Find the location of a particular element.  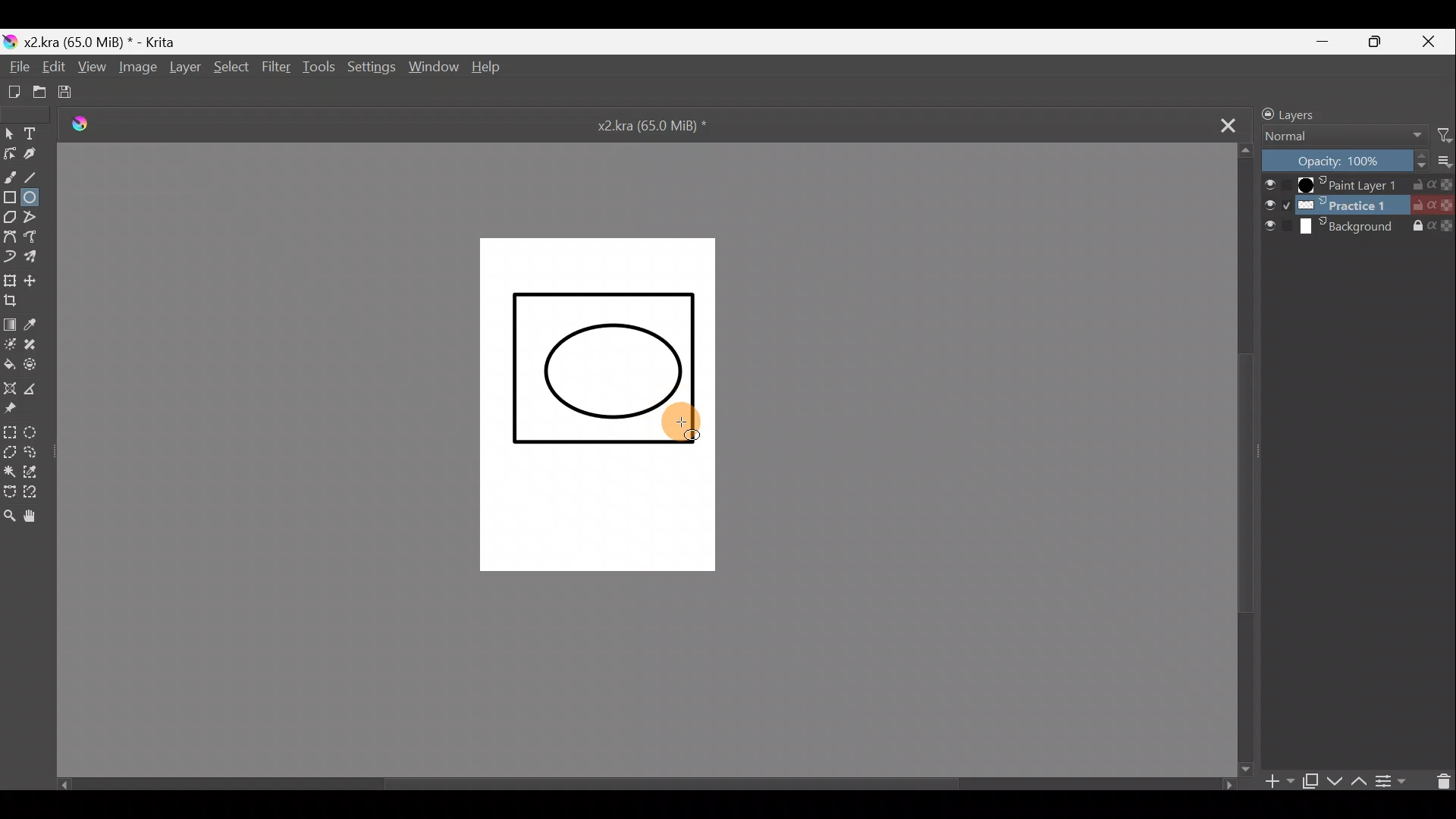

Sample a colour from the image/current layer is located at coordinates (39, 324).